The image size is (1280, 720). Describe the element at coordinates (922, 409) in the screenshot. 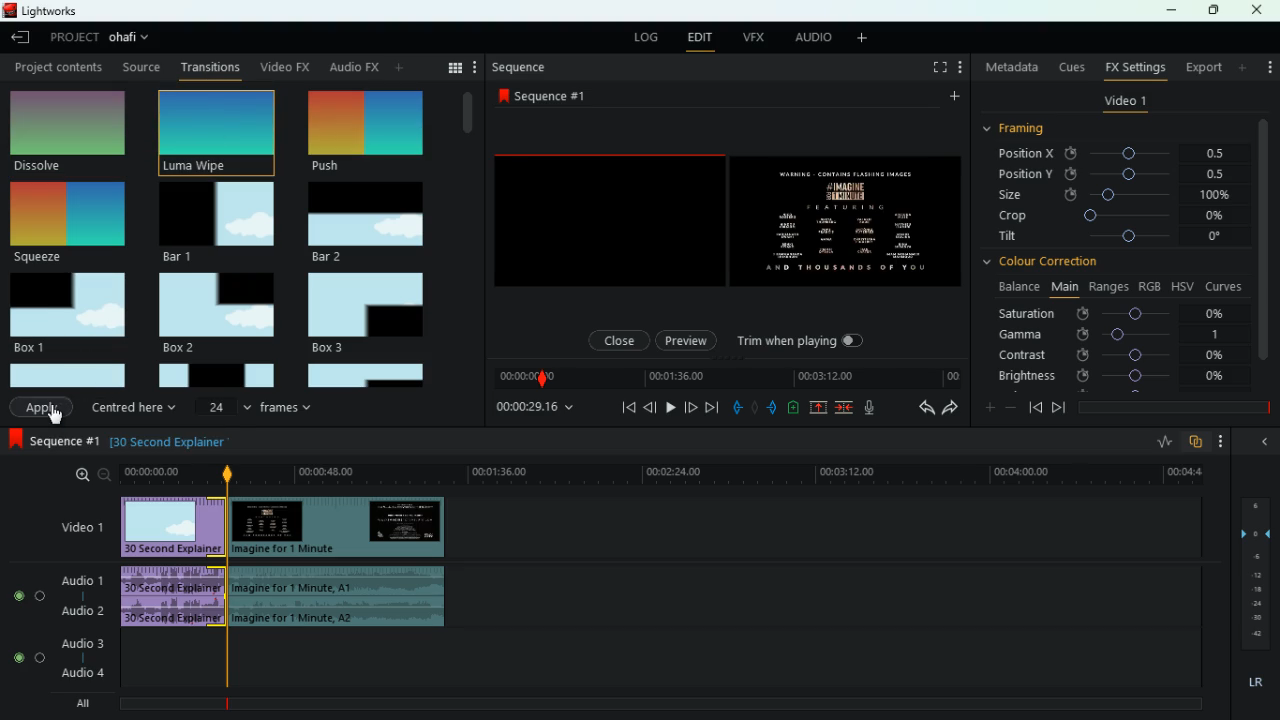

I see `back` at that location.